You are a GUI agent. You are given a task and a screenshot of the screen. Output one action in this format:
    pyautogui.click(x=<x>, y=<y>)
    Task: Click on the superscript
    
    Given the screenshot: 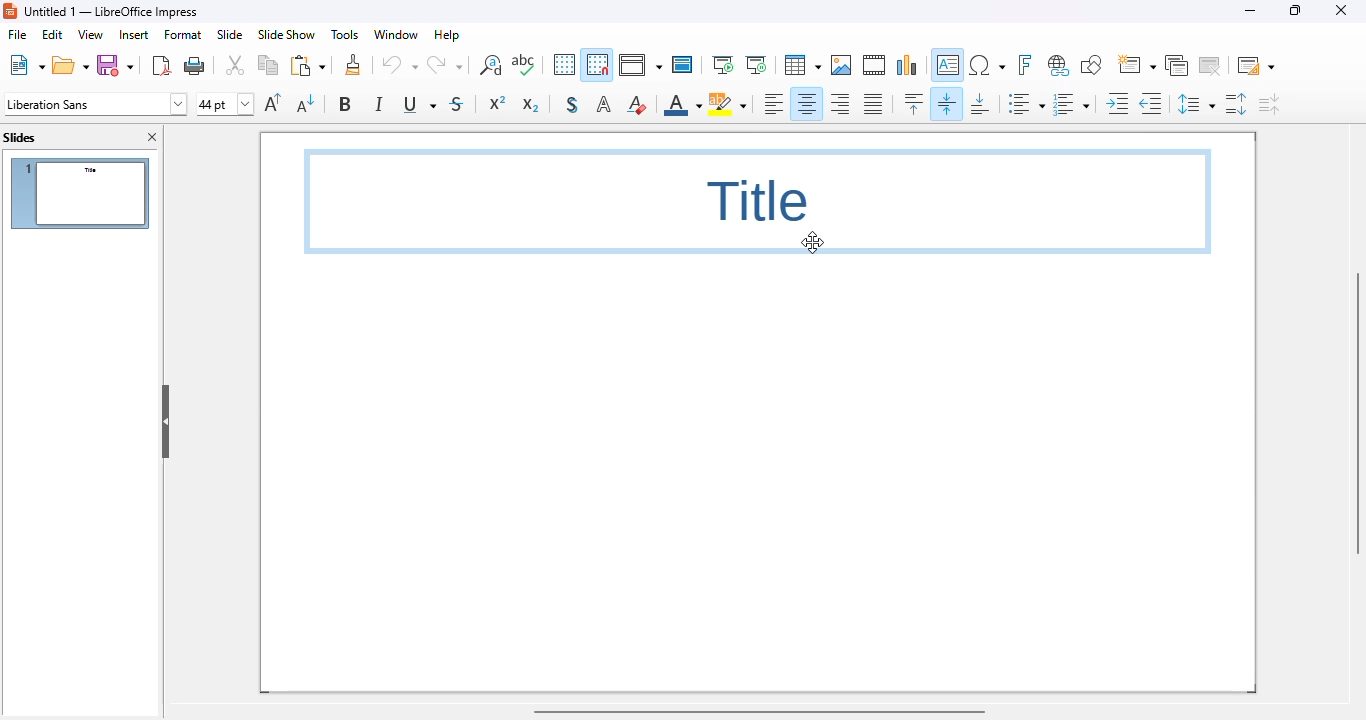 What is the action you would take?
    pyautogui.click(x=498, y=103)
    